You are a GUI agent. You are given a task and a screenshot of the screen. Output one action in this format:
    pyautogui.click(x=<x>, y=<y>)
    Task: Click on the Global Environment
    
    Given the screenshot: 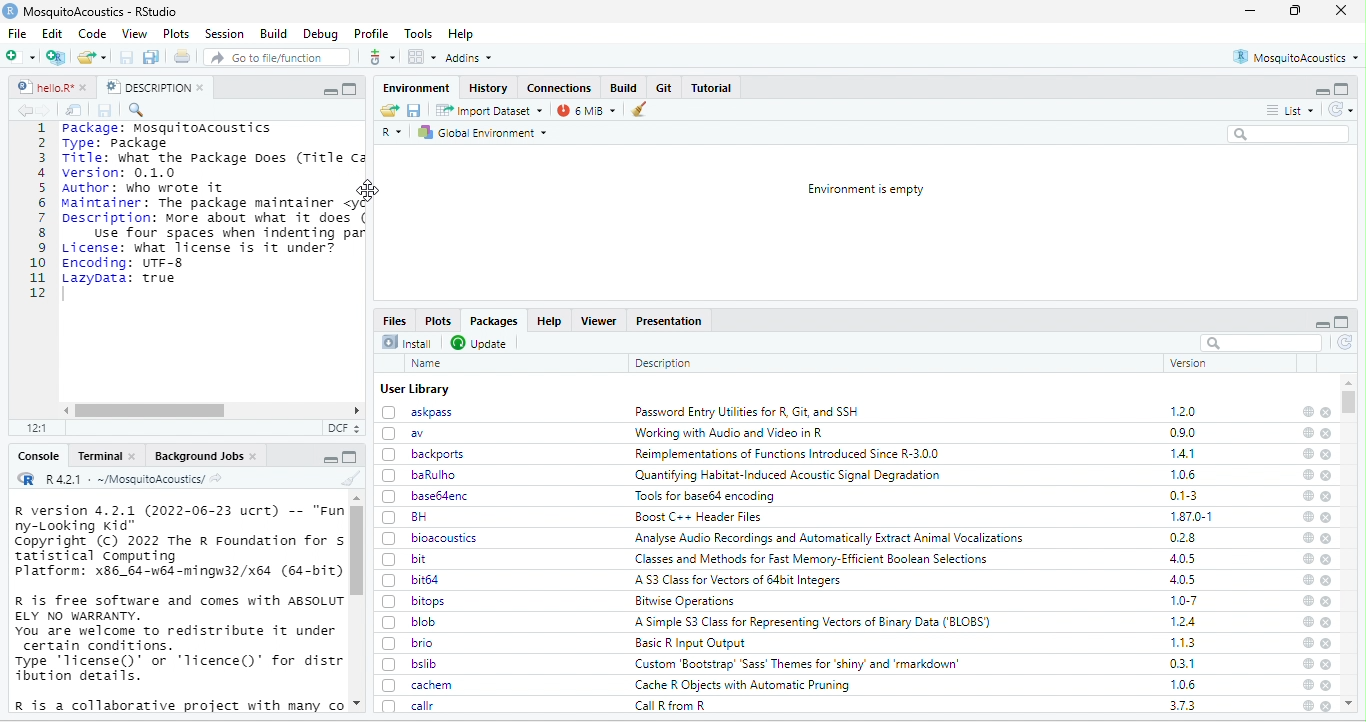 What is the action you would take?
    pyautogui.click(x=483, y=133)
    